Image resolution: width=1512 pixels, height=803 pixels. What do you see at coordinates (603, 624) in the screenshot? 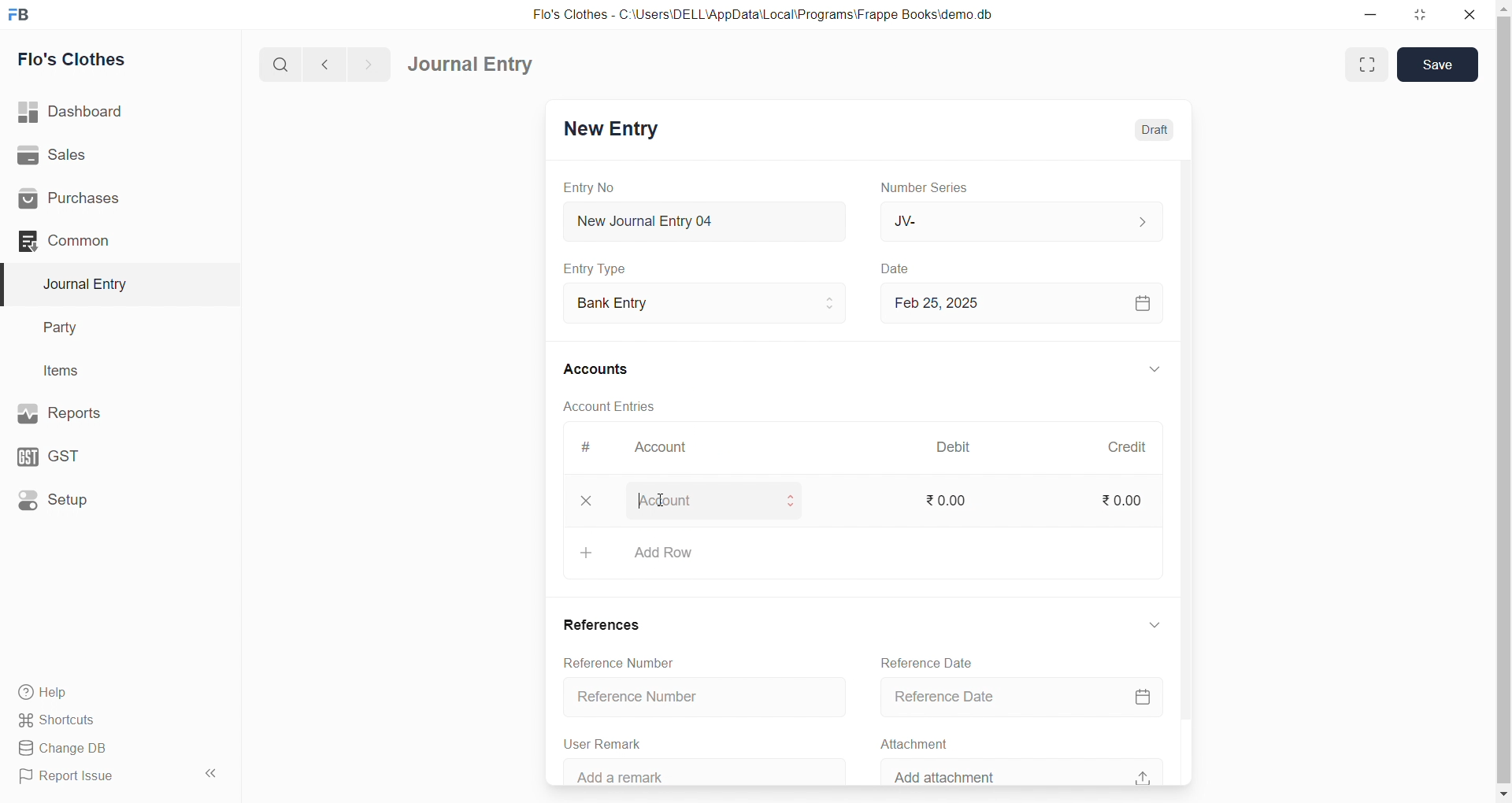
I see `References` at bounding box center [603, 624].